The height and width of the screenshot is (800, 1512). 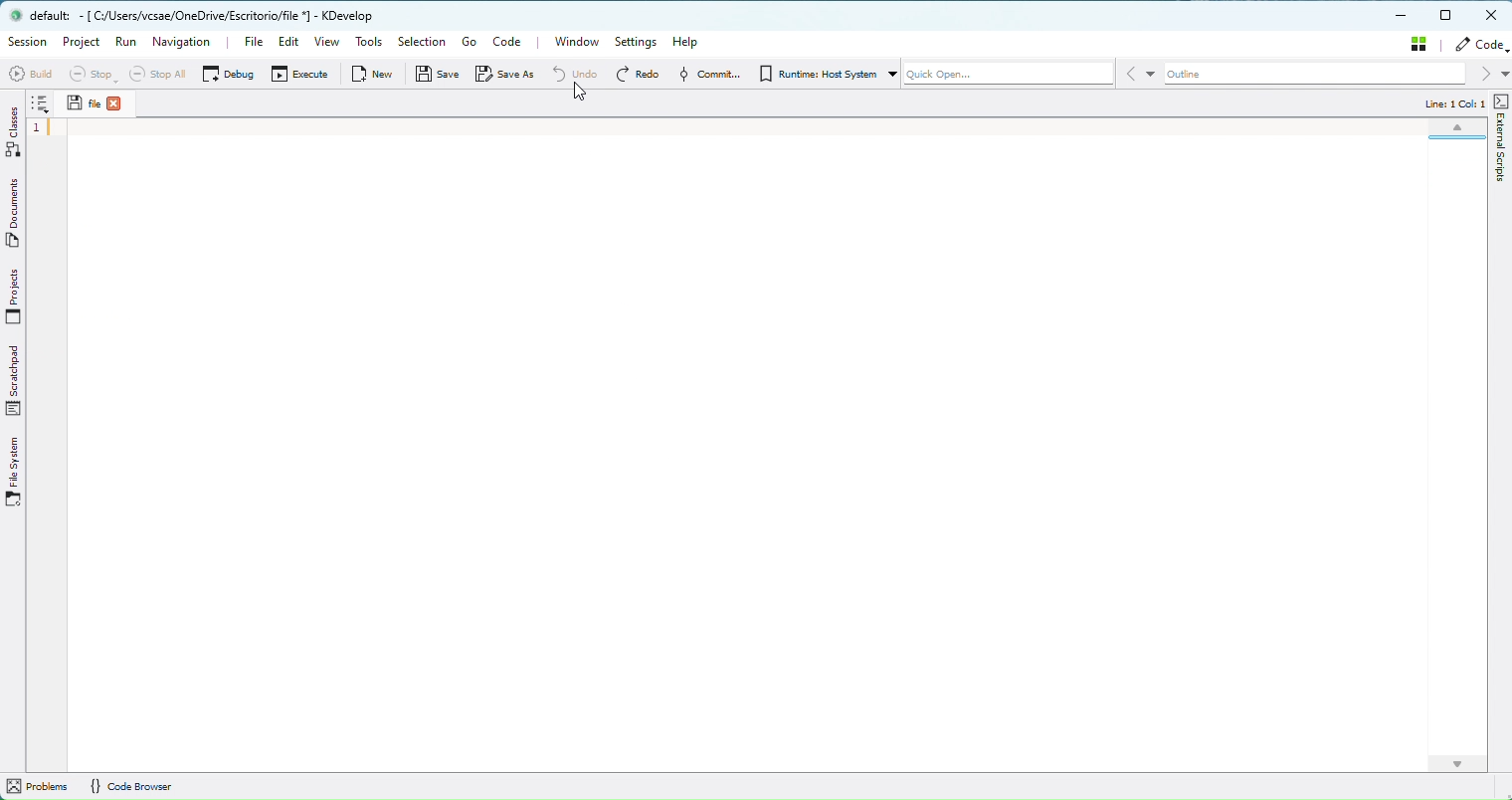 What do you see at coordinates (85, 46) in the screenshot?
I see `Project` at bounding box center [85, 46].